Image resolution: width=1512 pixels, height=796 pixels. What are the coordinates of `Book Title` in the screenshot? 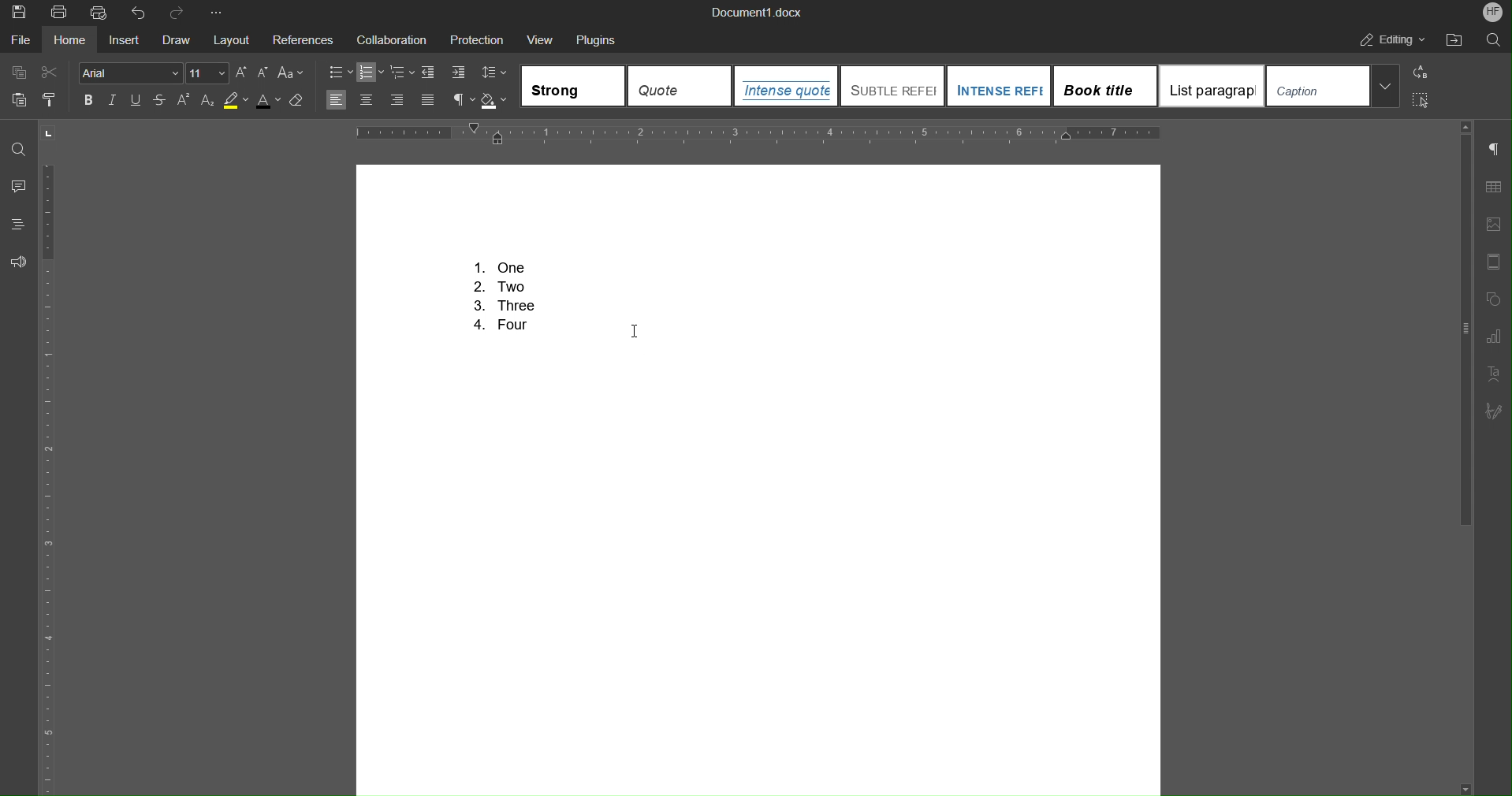 It's located at (1105, 84).